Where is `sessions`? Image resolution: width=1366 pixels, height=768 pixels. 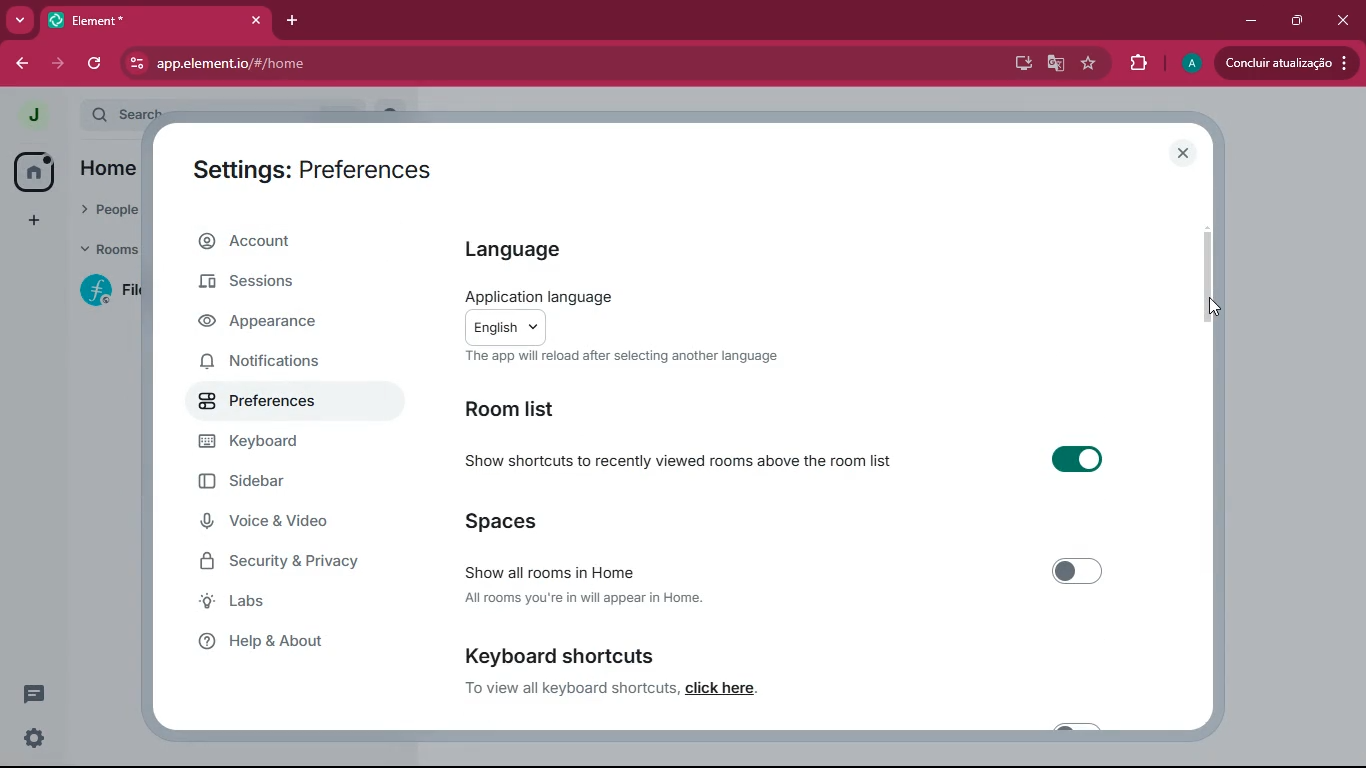 sessions is located at coordinates (278, 283).